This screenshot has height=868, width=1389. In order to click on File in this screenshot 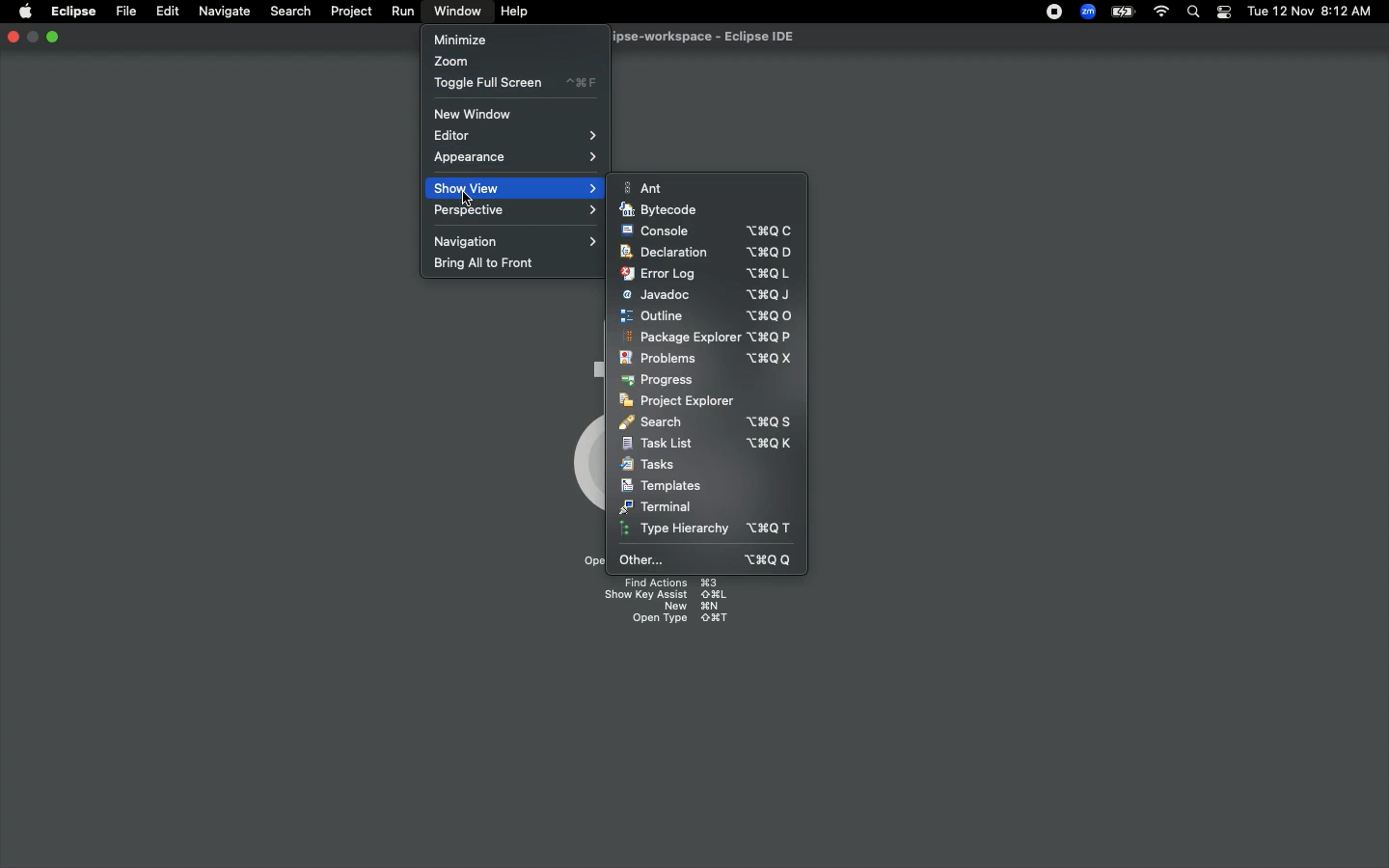, I will do `click(125, 10)`.